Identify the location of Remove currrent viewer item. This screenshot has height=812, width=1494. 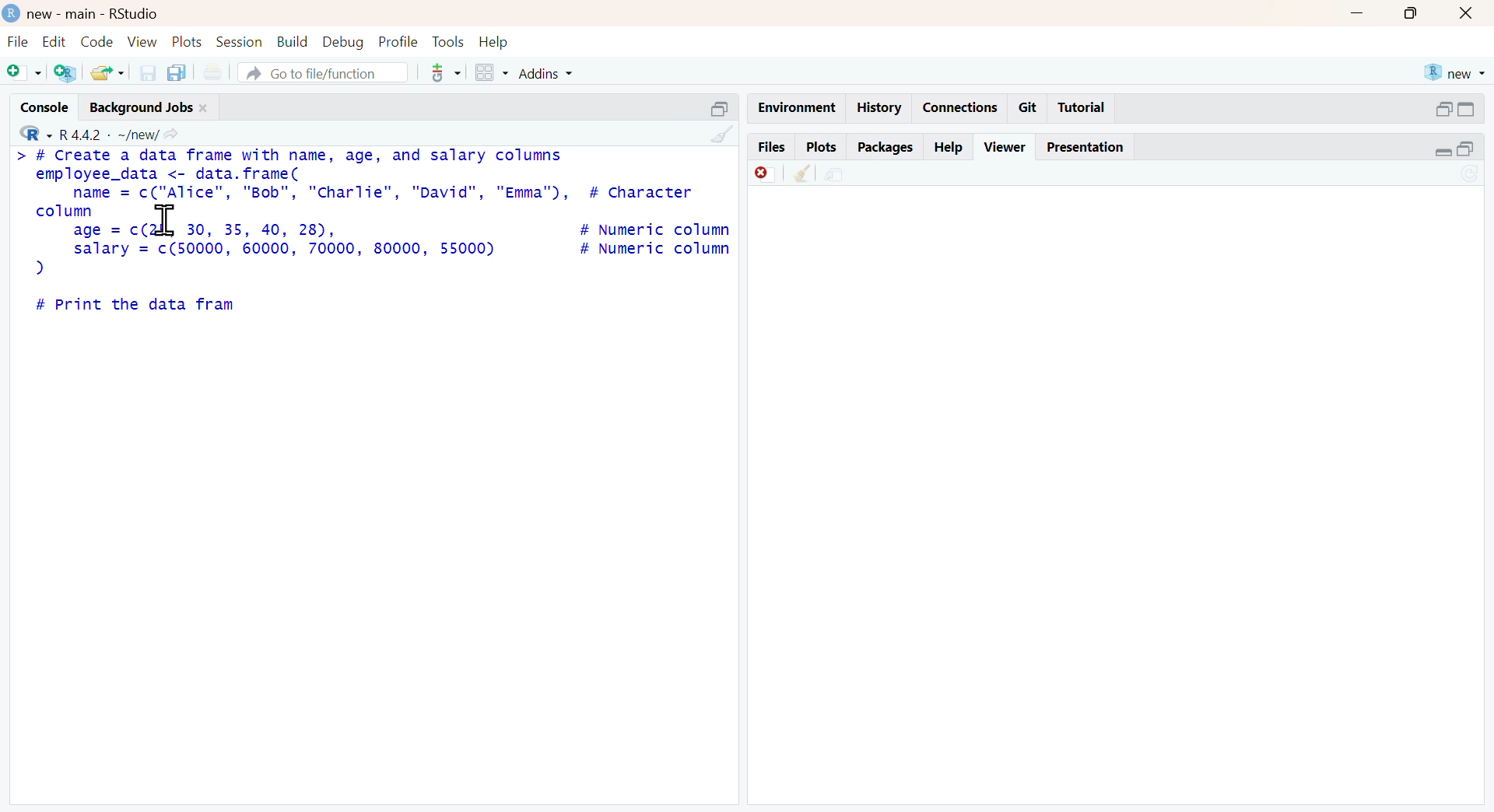
(760, 178).